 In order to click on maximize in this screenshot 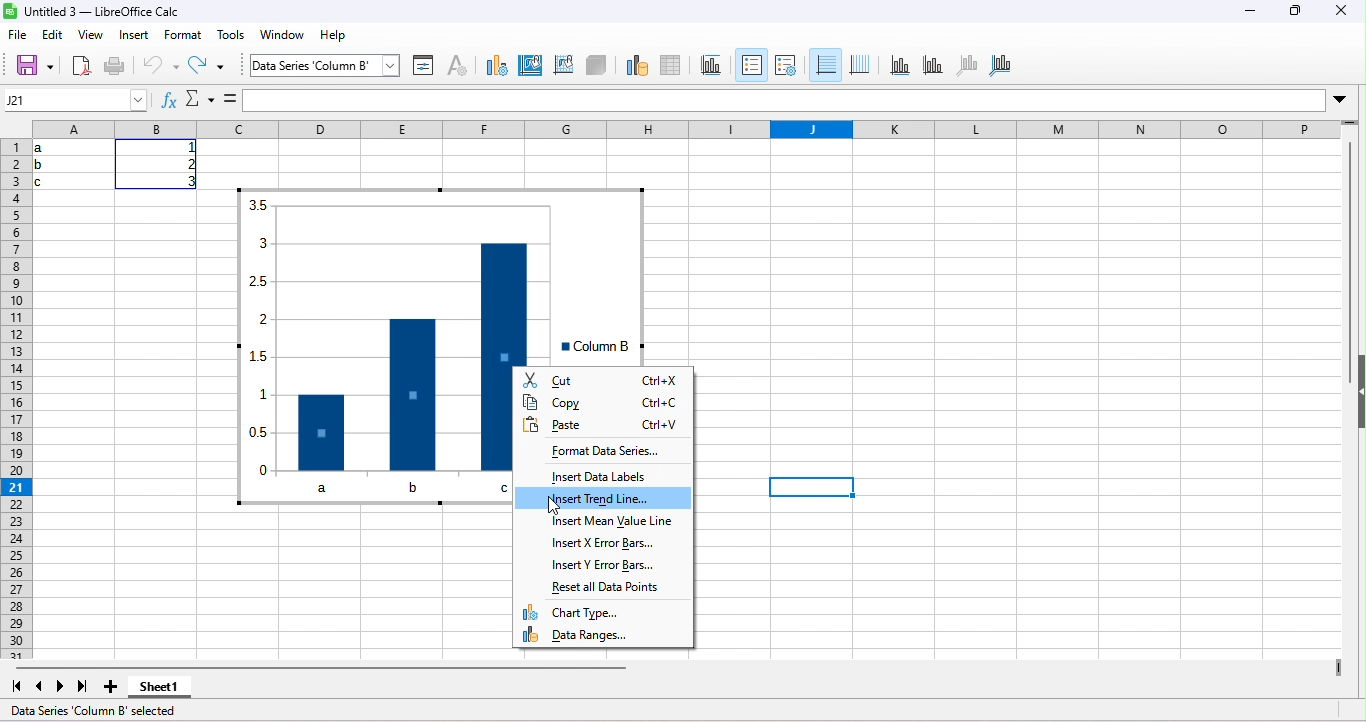, I will do `click(1294, 13)`.